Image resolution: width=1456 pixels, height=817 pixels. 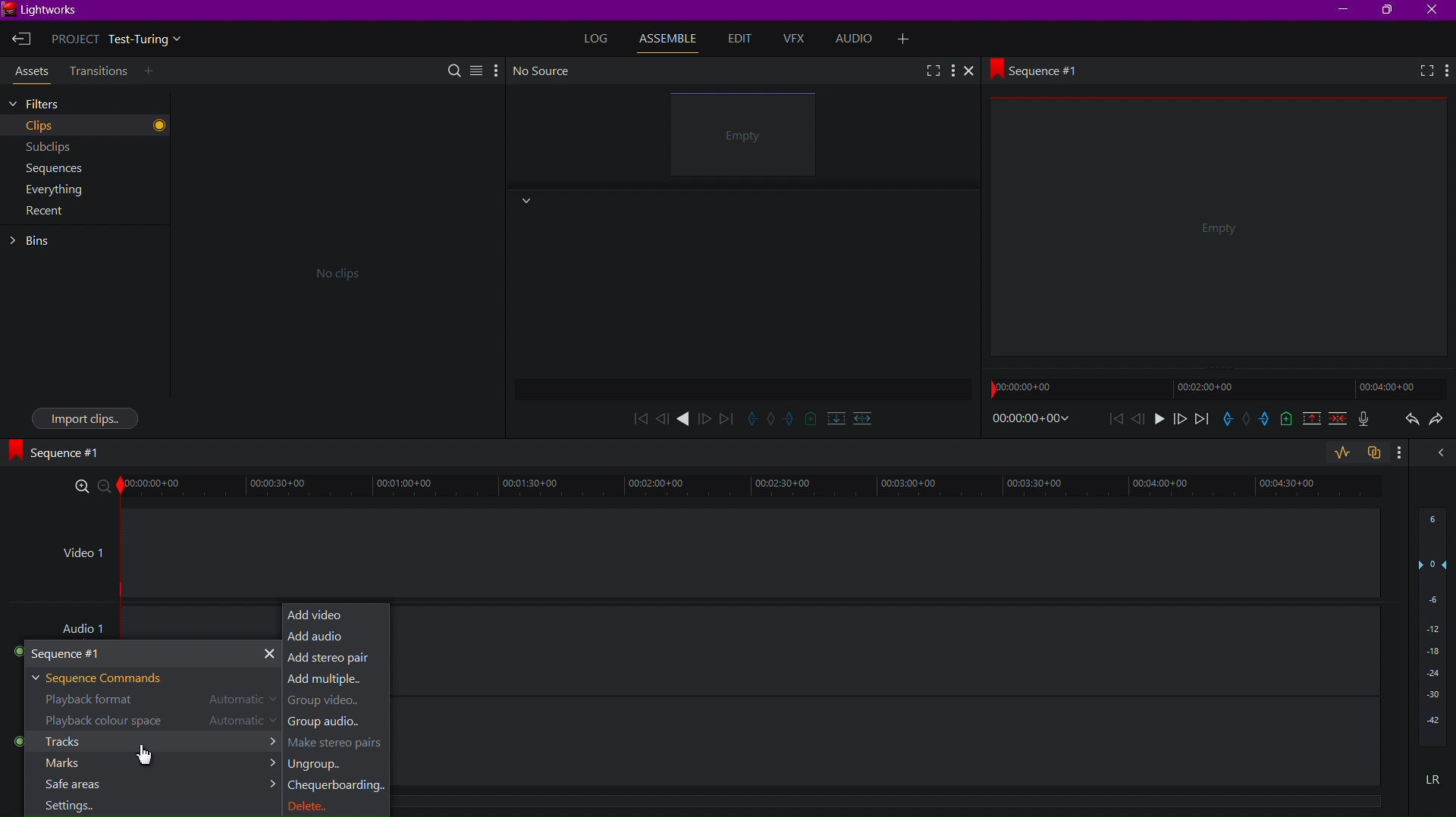 What do you see at coordinates (240, 701) in the screenshot?
I see `automatic` at bounding box center [240, 701].